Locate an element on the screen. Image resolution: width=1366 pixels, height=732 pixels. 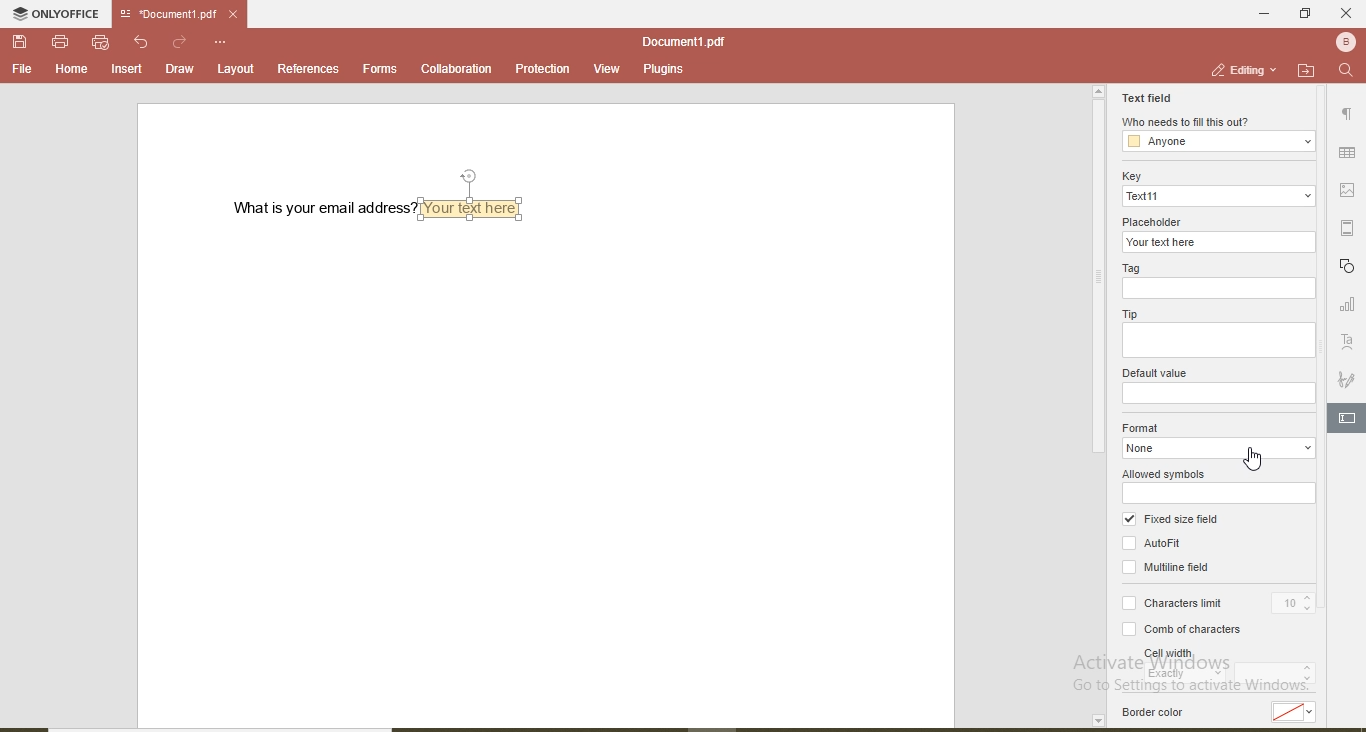
cell width is located at coordinates (1168, 653).